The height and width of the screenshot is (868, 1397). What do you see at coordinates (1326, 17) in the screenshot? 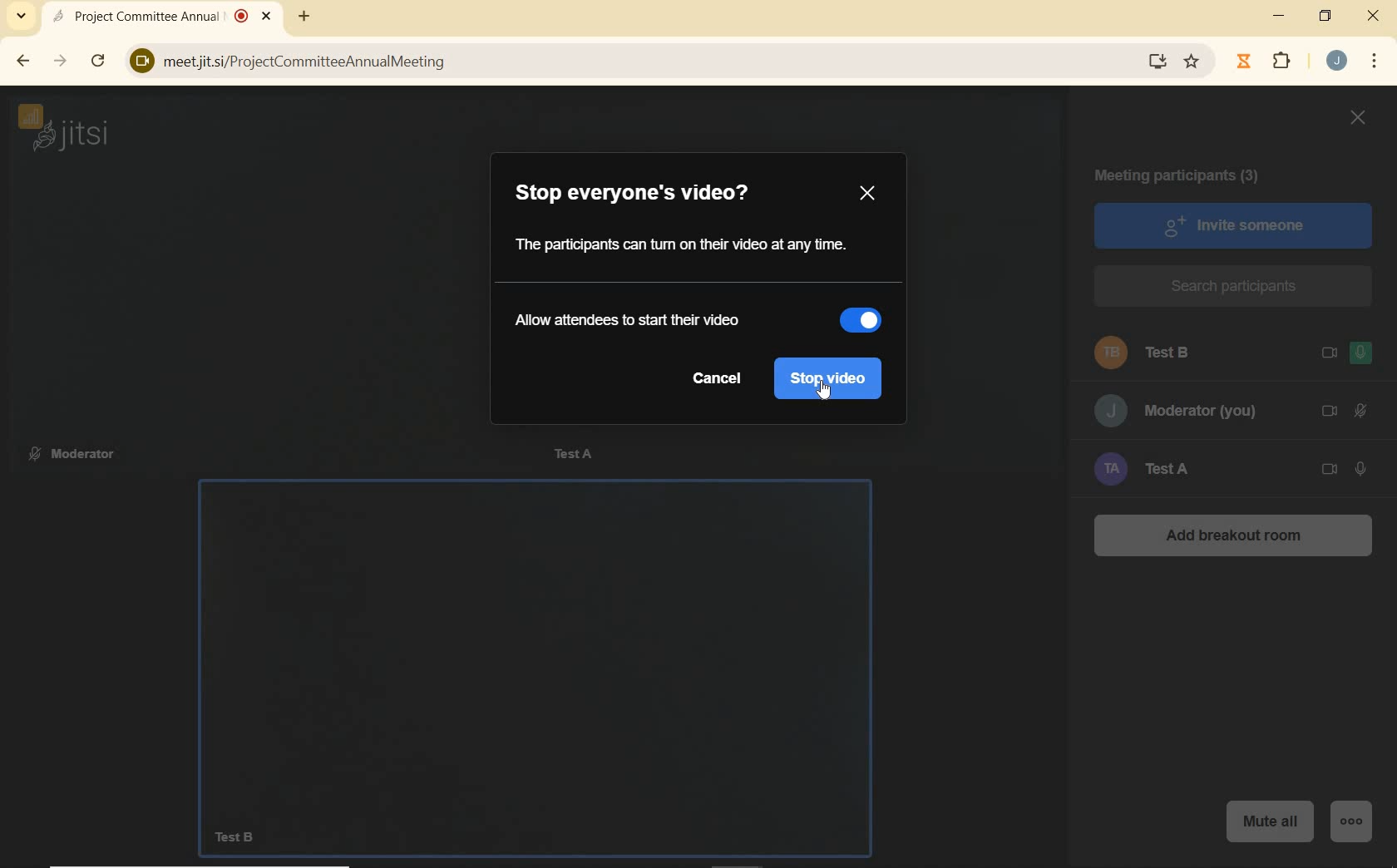
I see `RESTORE DOWN` at bounding box center [1326, 17].